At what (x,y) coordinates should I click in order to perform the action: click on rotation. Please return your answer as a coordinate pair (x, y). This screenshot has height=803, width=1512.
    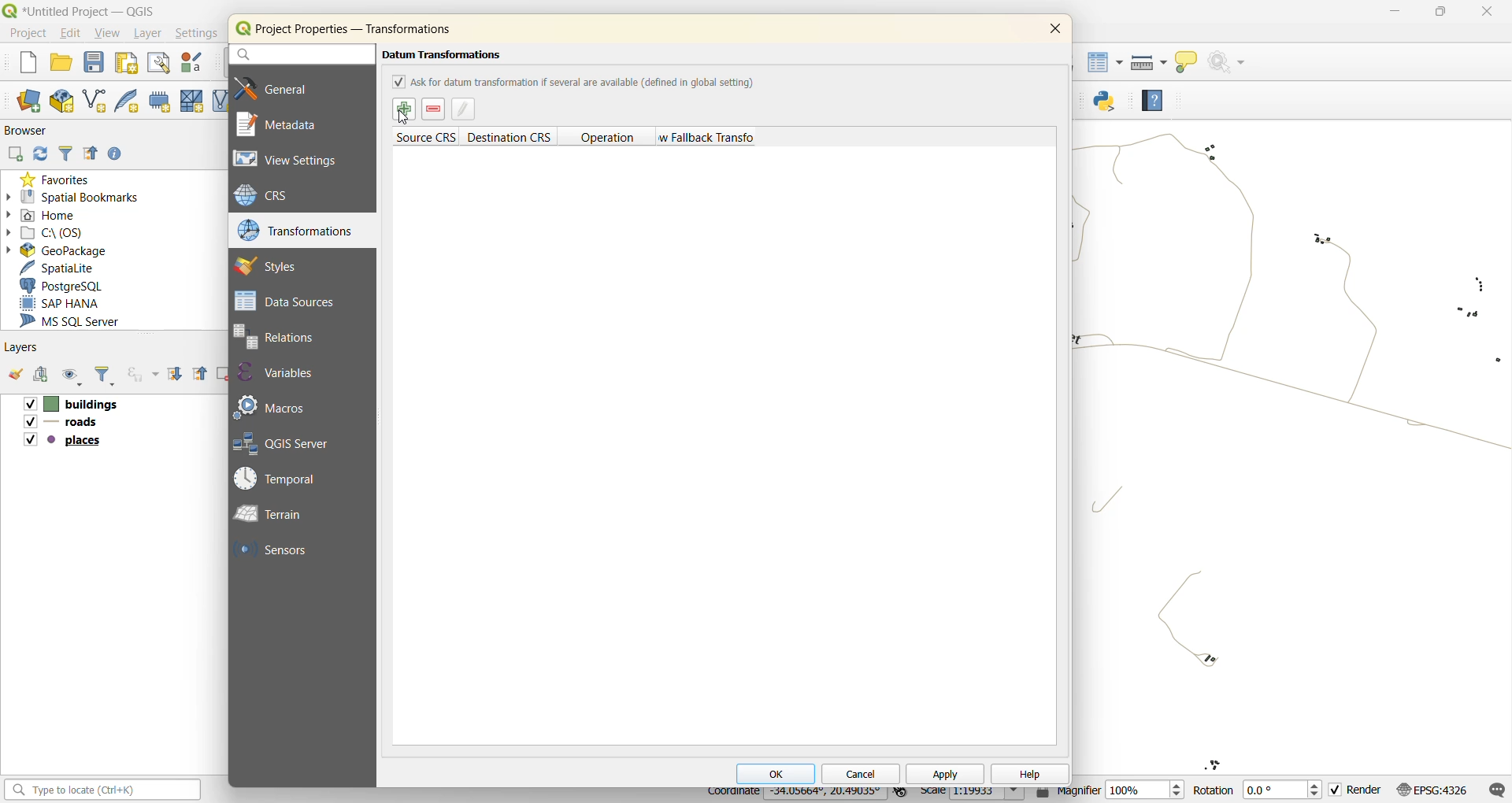
    Looking at the image, I should click on (1258, 790).